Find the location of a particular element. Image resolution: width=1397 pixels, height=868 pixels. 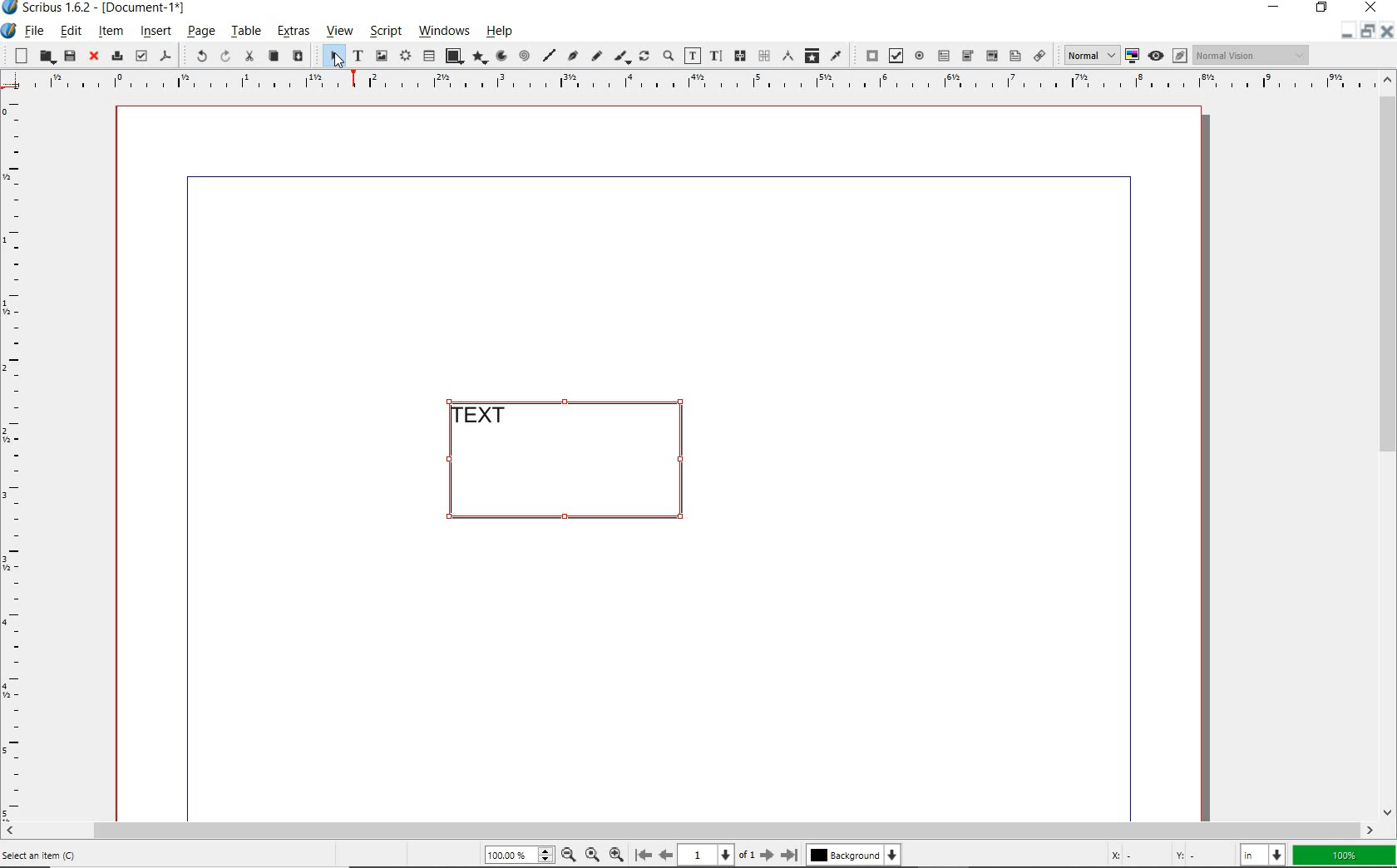

scrollbar is located at coordinates (1389, 445).